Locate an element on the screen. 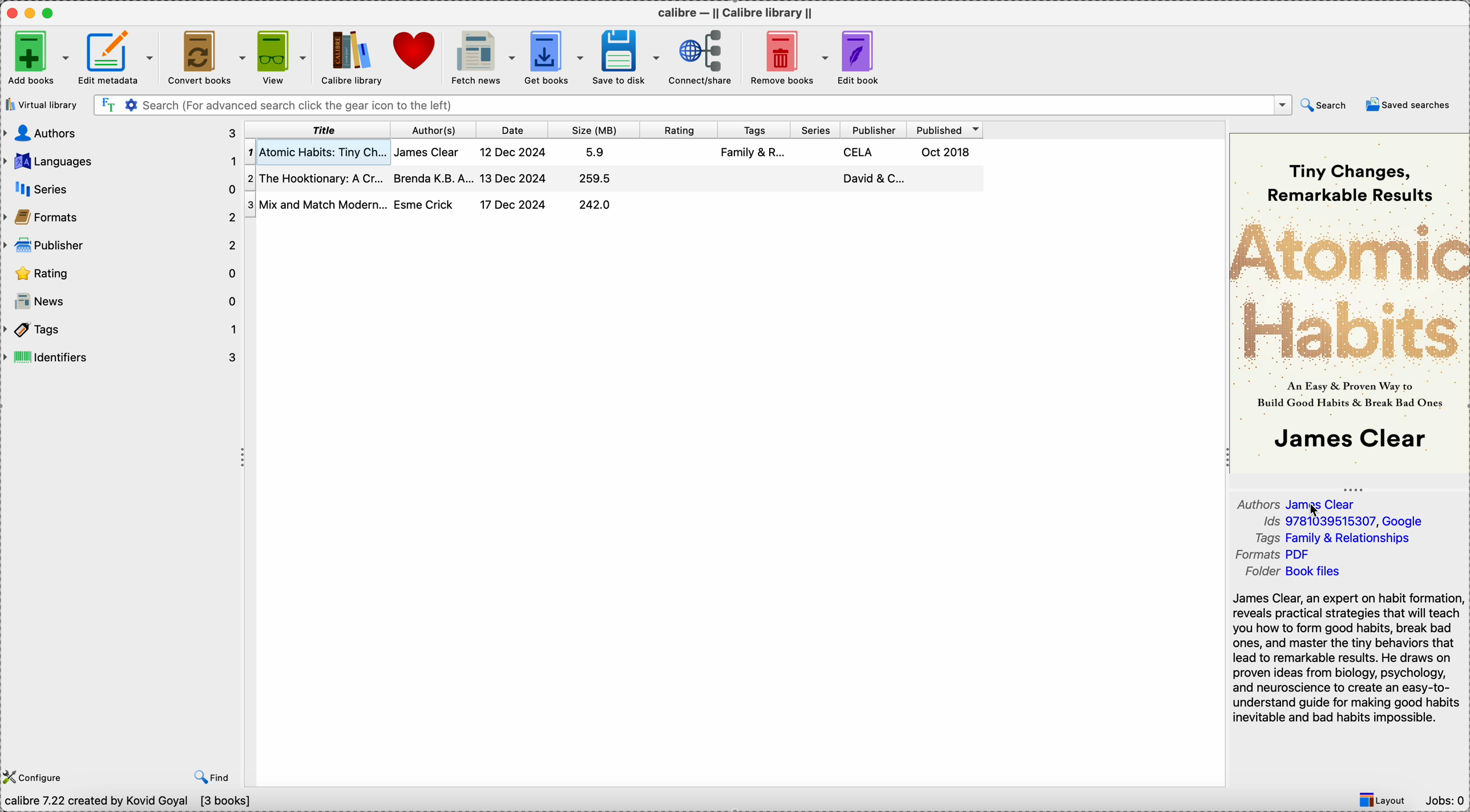 The image size is (1470, 812). get books is located at coordinates (553, 58).